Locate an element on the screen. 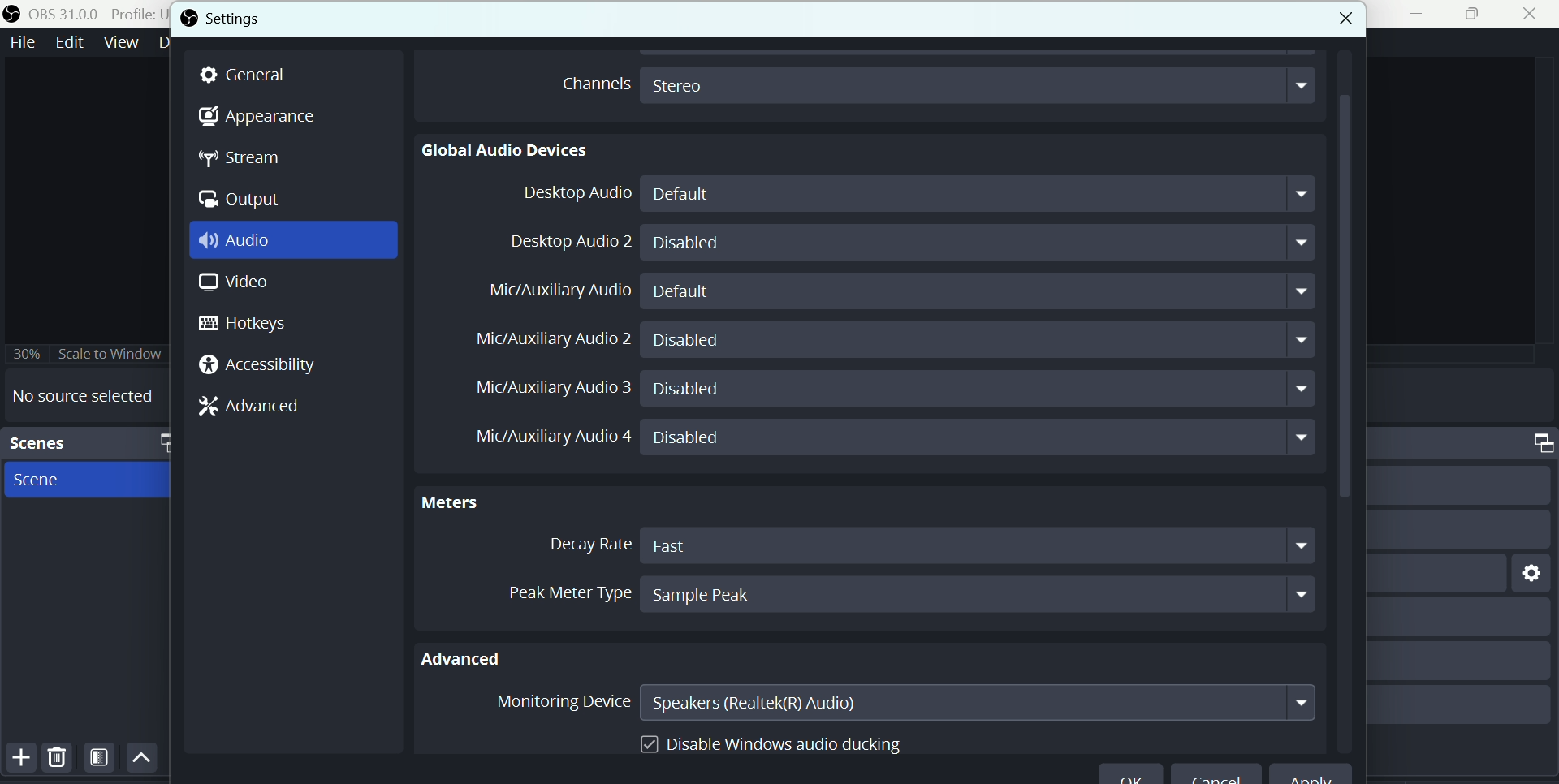 This screenshot has width=1559, height=784. Advanced is located at coordinates (473, 656).